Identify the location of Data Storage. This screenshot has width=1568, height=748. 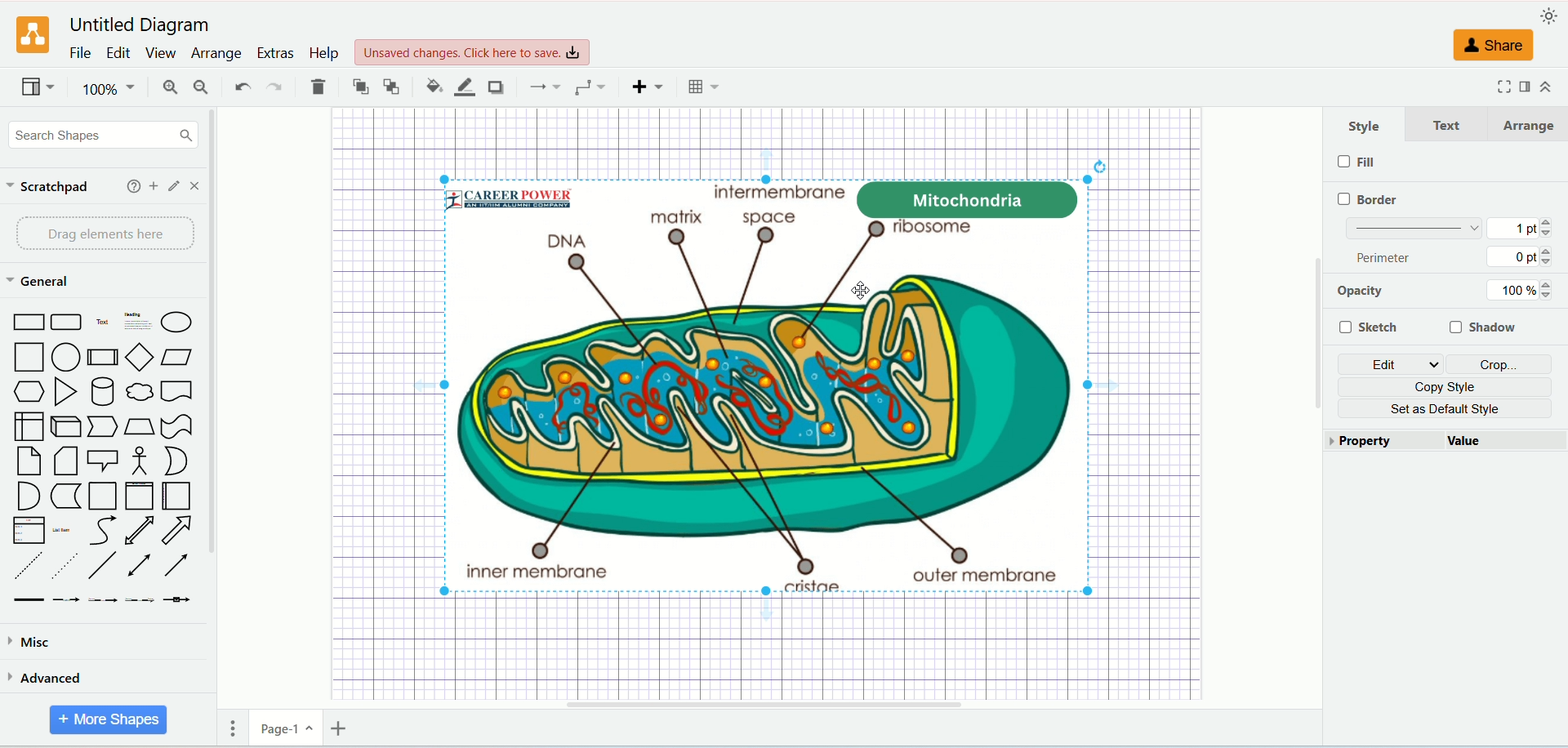
(65, 497).